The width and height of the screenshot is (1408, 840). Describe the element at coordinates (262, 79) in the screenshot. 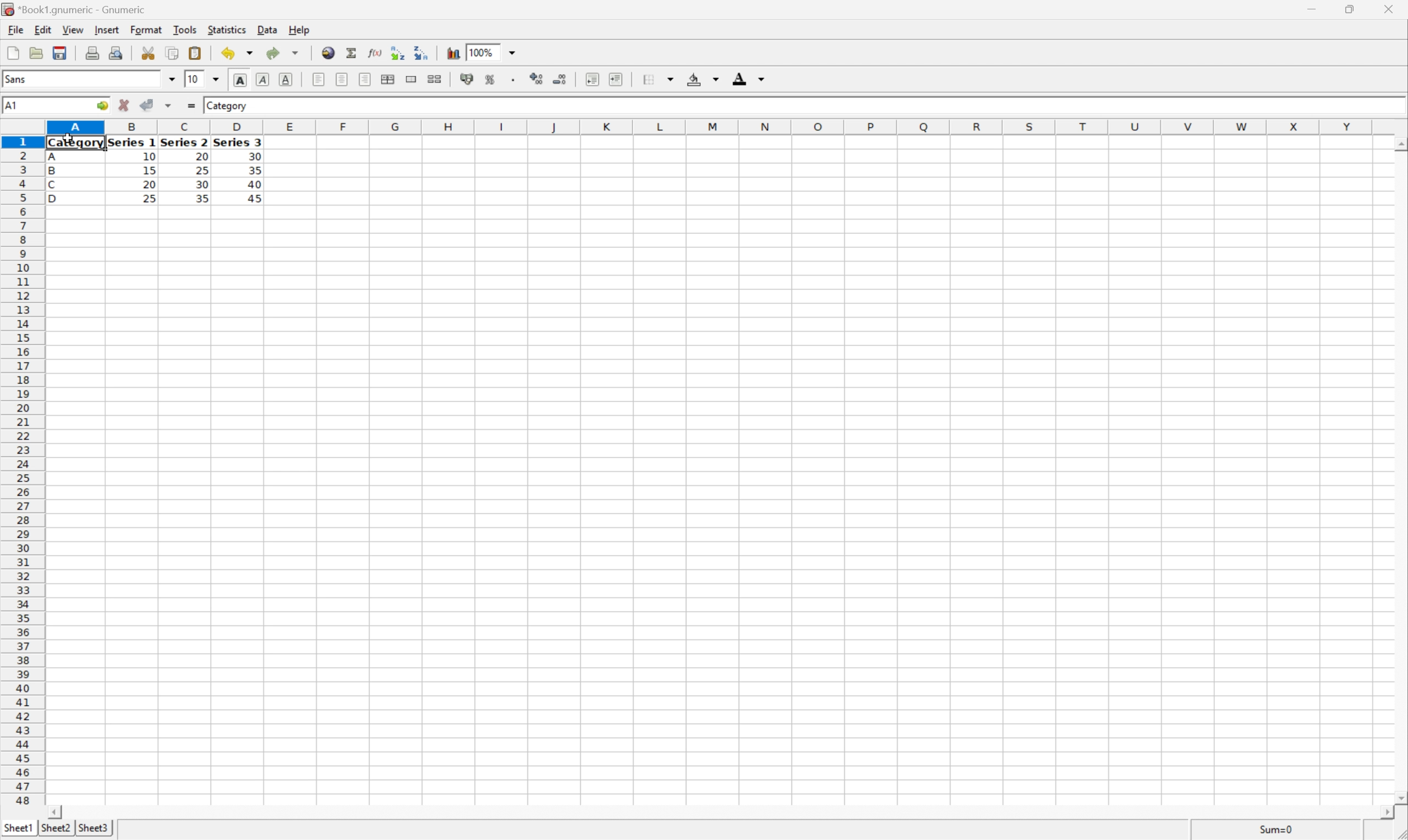

I see `Italic` at that location.